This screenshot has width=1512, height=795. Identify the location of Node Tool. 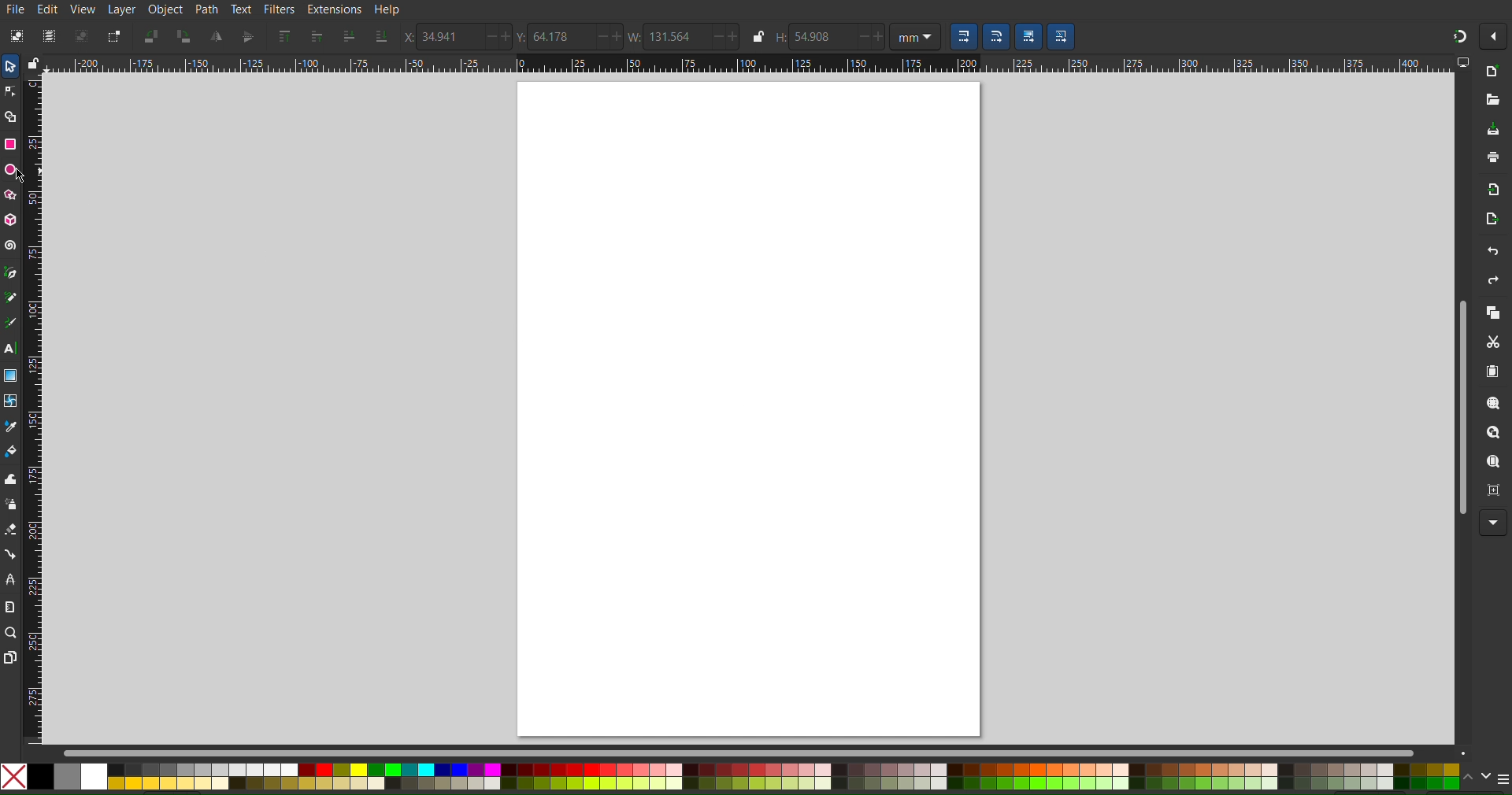
(9, 94).